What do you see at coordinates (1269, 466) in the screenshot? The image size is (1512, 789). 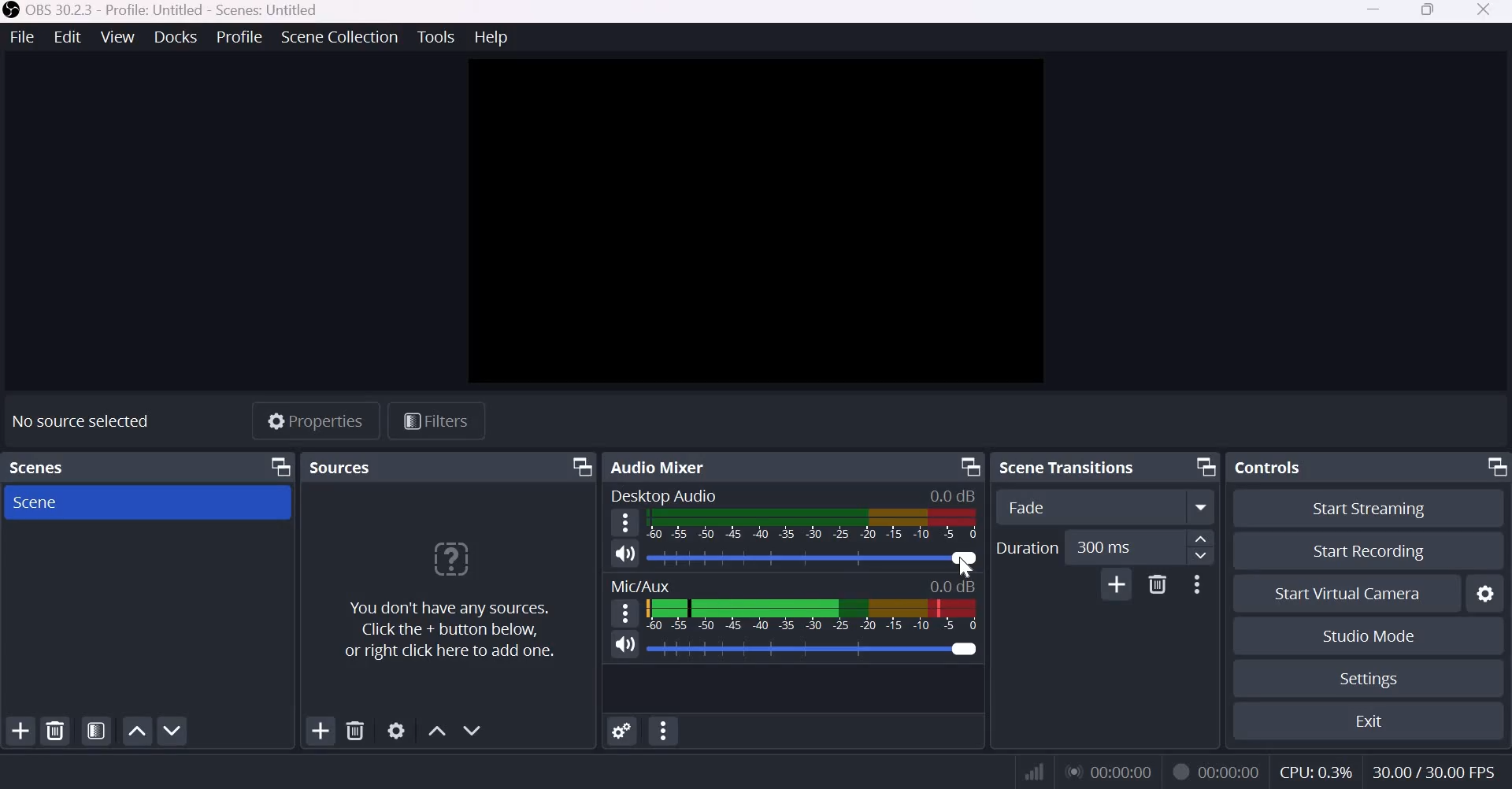 I see `Controls` at bounding box center [1269, 466].